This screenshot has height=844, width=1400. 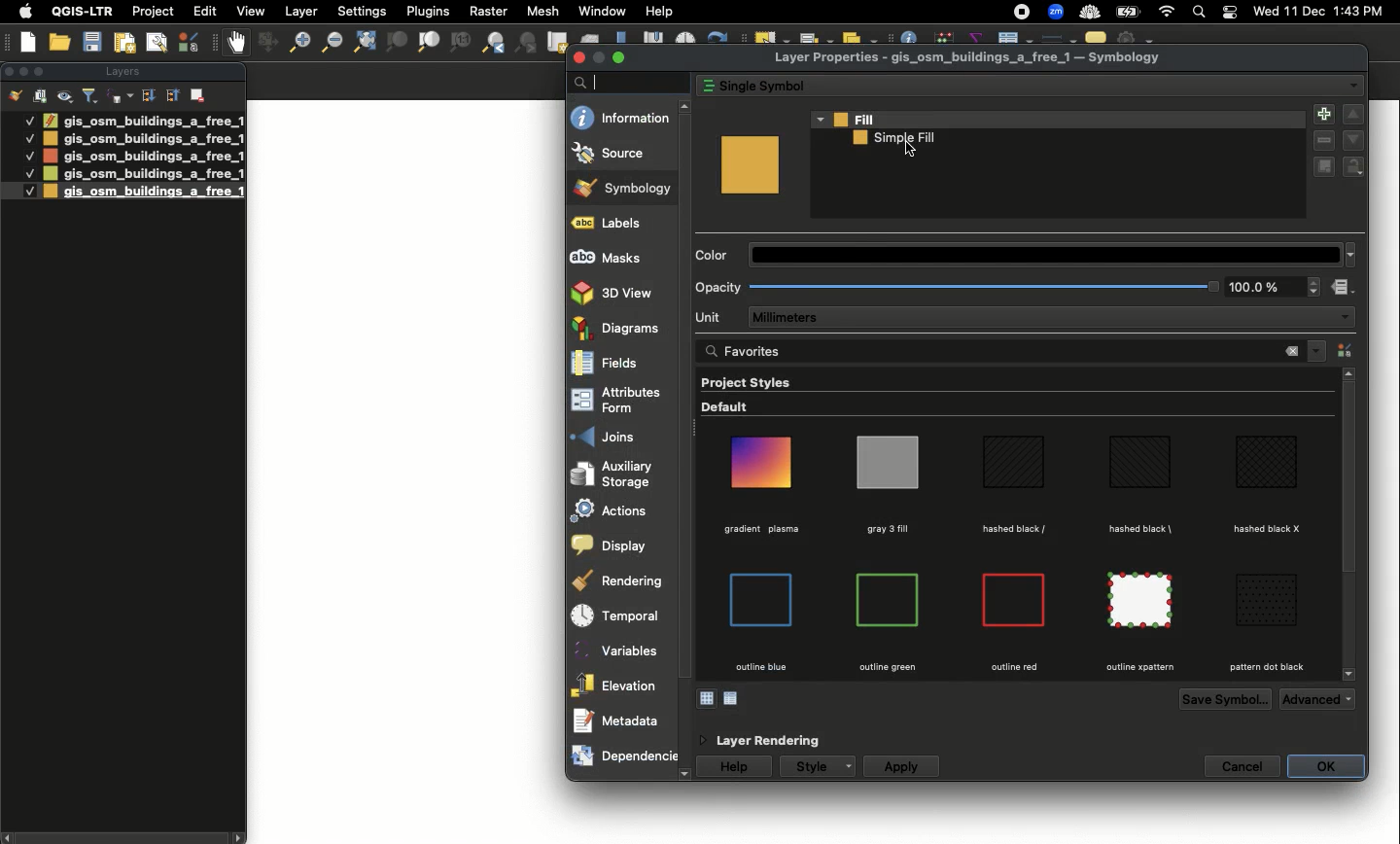 I want to click on up, so click(x=687, y=107).